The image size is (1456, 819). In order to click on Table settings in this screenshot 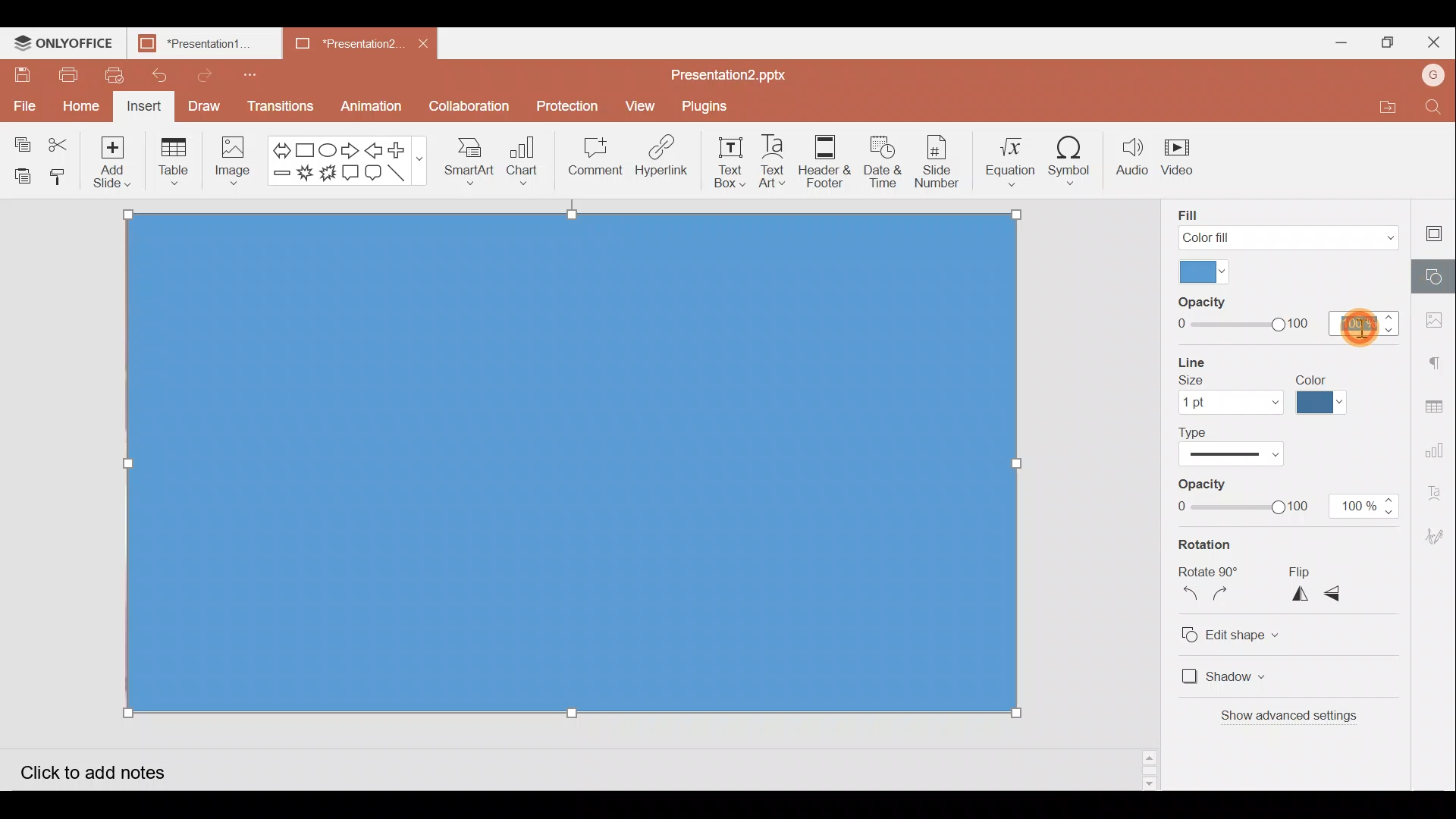, I will do `click(1438, 398)`.